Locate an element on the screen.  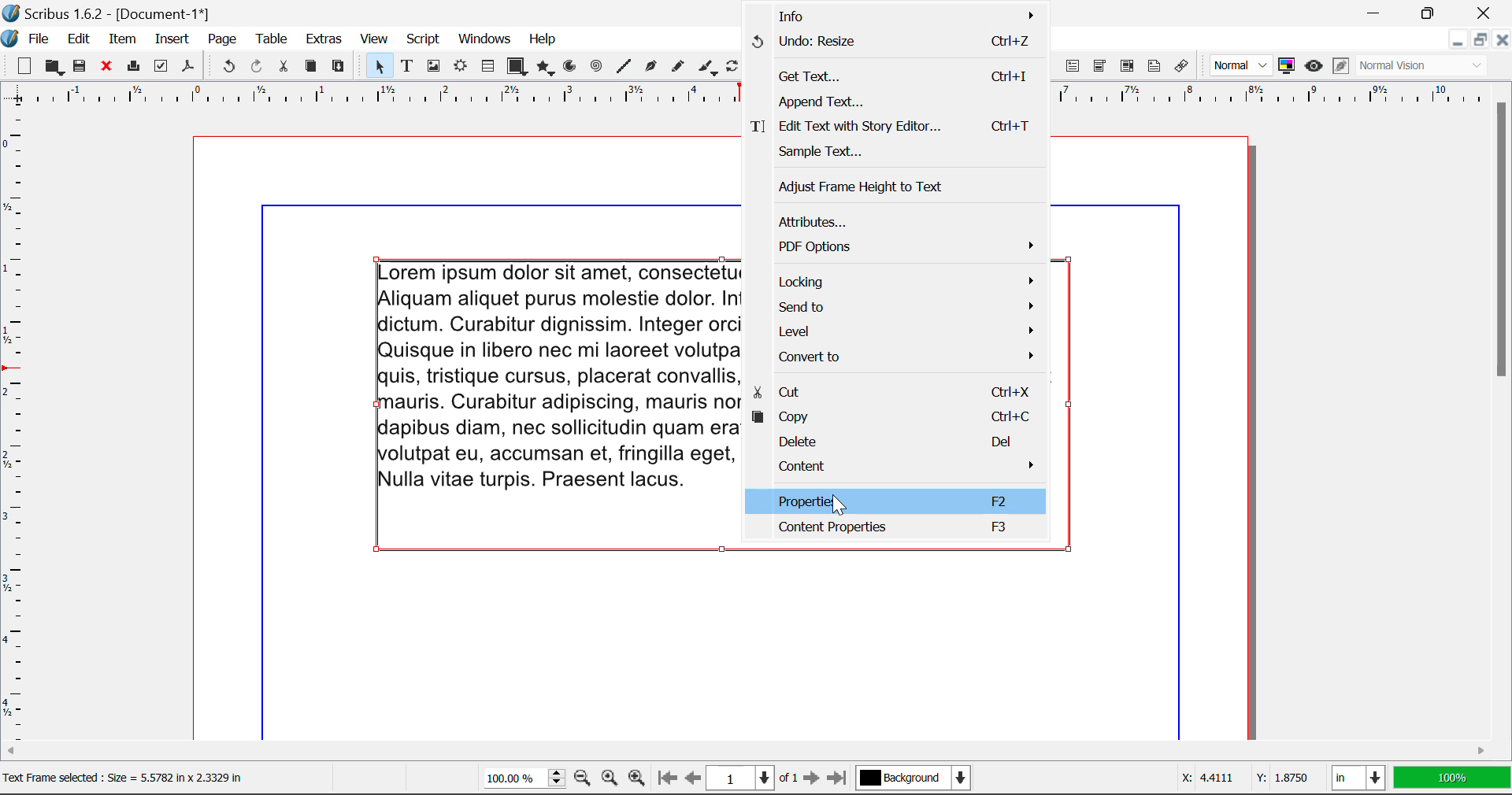
Discard is located at coordinates (106, 68).